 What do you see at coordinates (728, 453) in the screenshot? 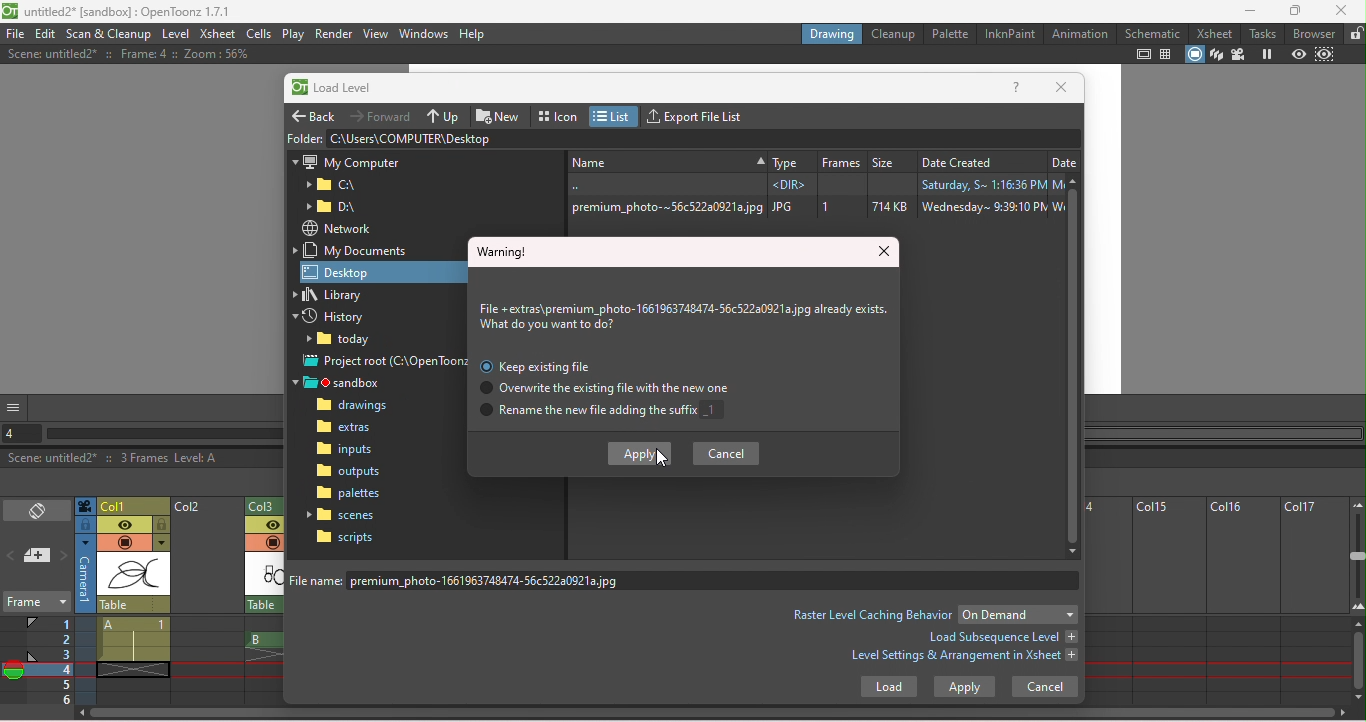
I see `Cancel` at bounding box center [728, 453].